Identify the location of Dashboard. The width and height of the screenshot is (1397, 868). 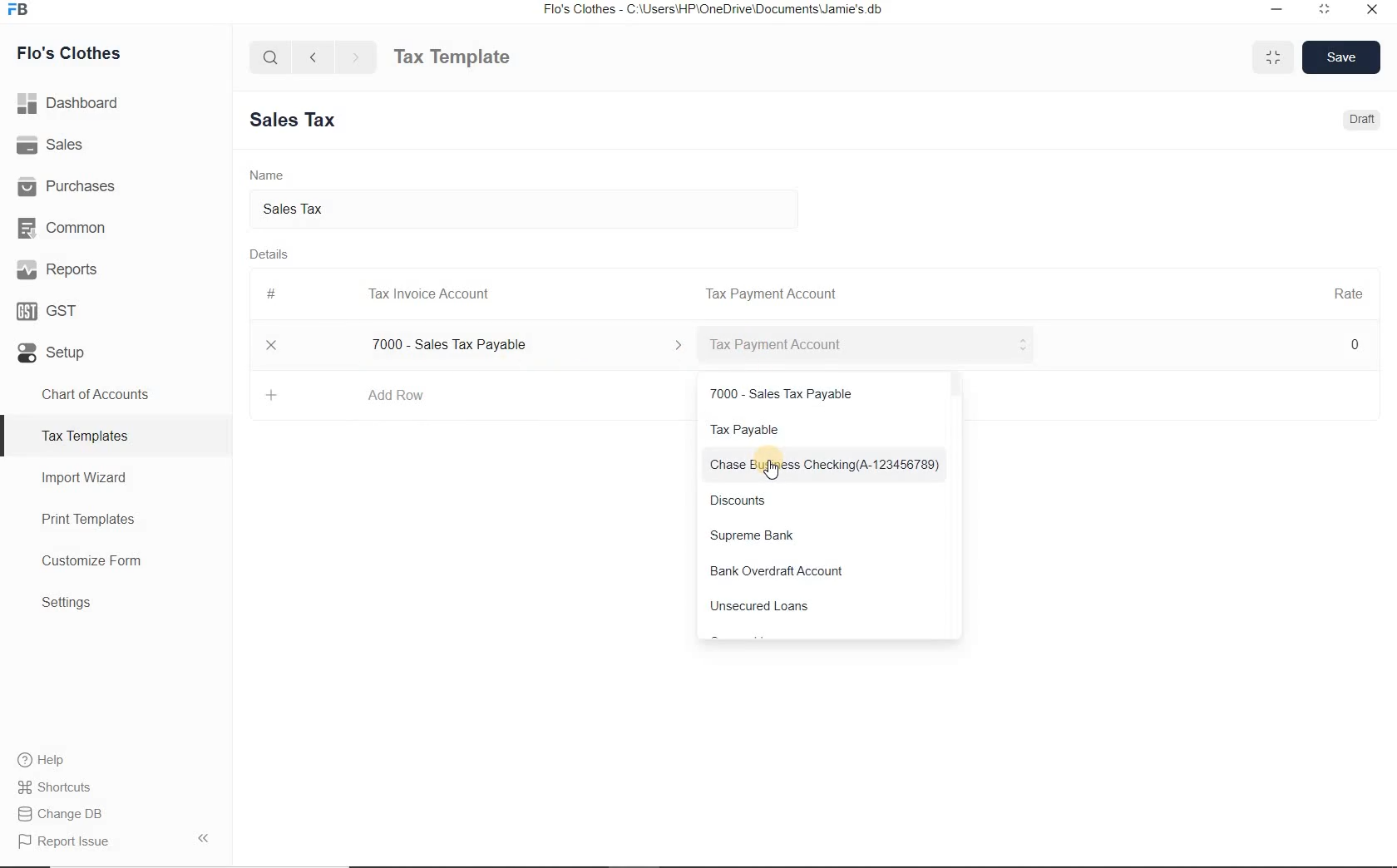
(116, 103).